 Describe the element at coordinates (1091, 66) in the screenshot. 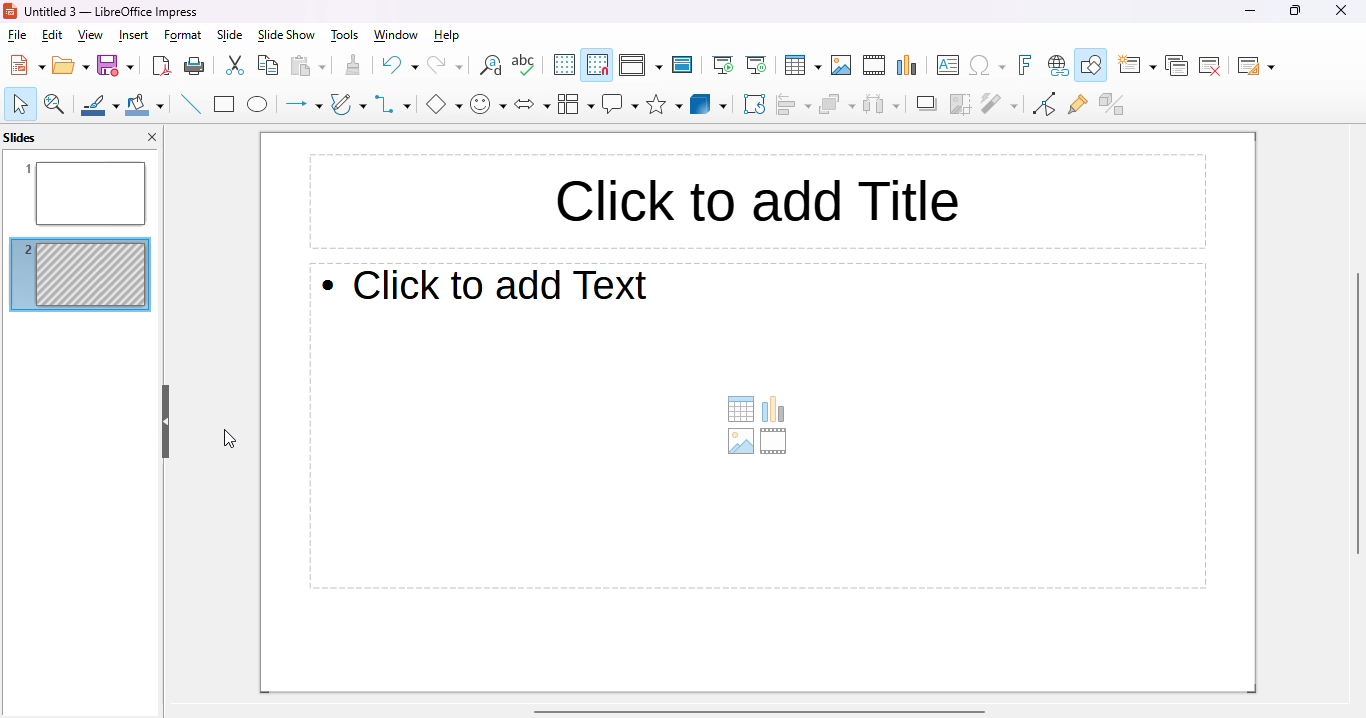

I see `show draw functions` at that location.